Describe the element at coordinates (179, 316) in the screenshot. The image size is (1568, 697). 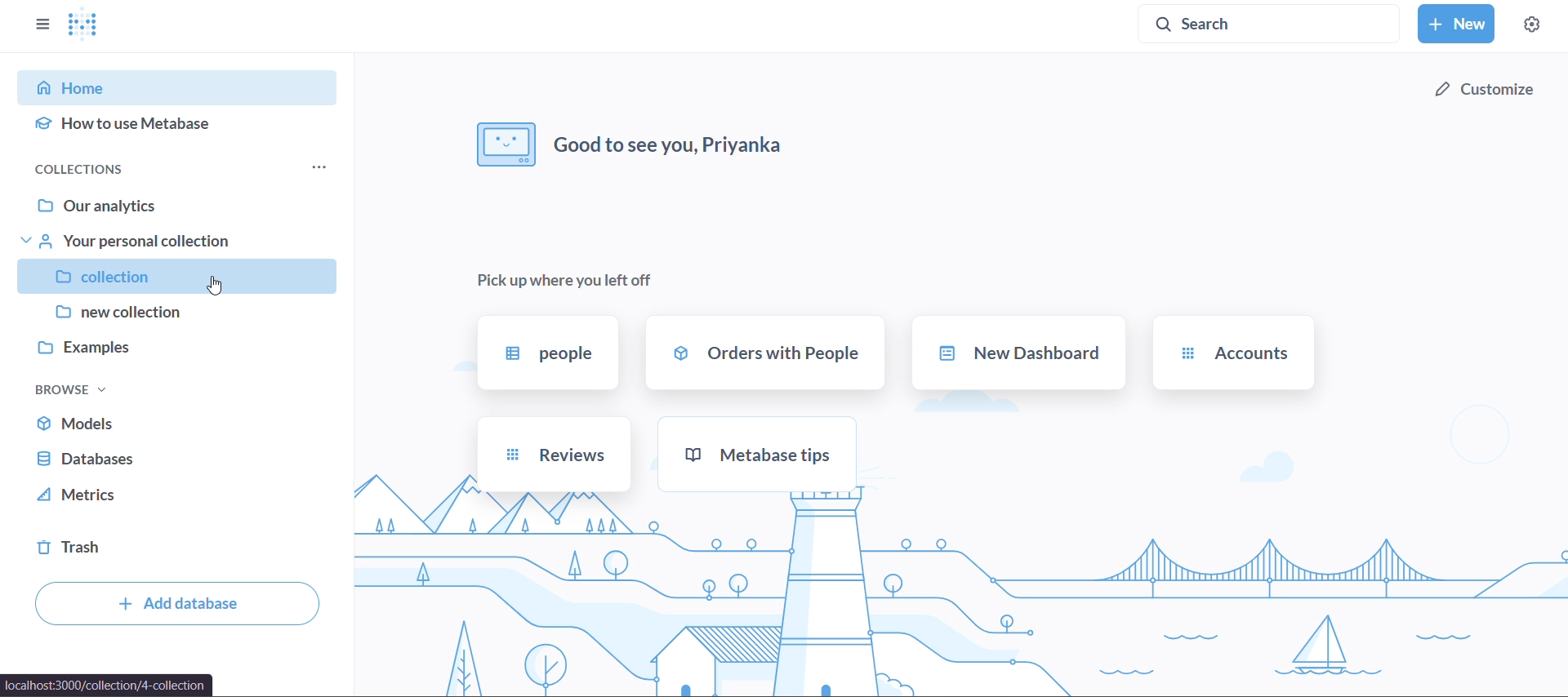
I see `new collection ` at that location.